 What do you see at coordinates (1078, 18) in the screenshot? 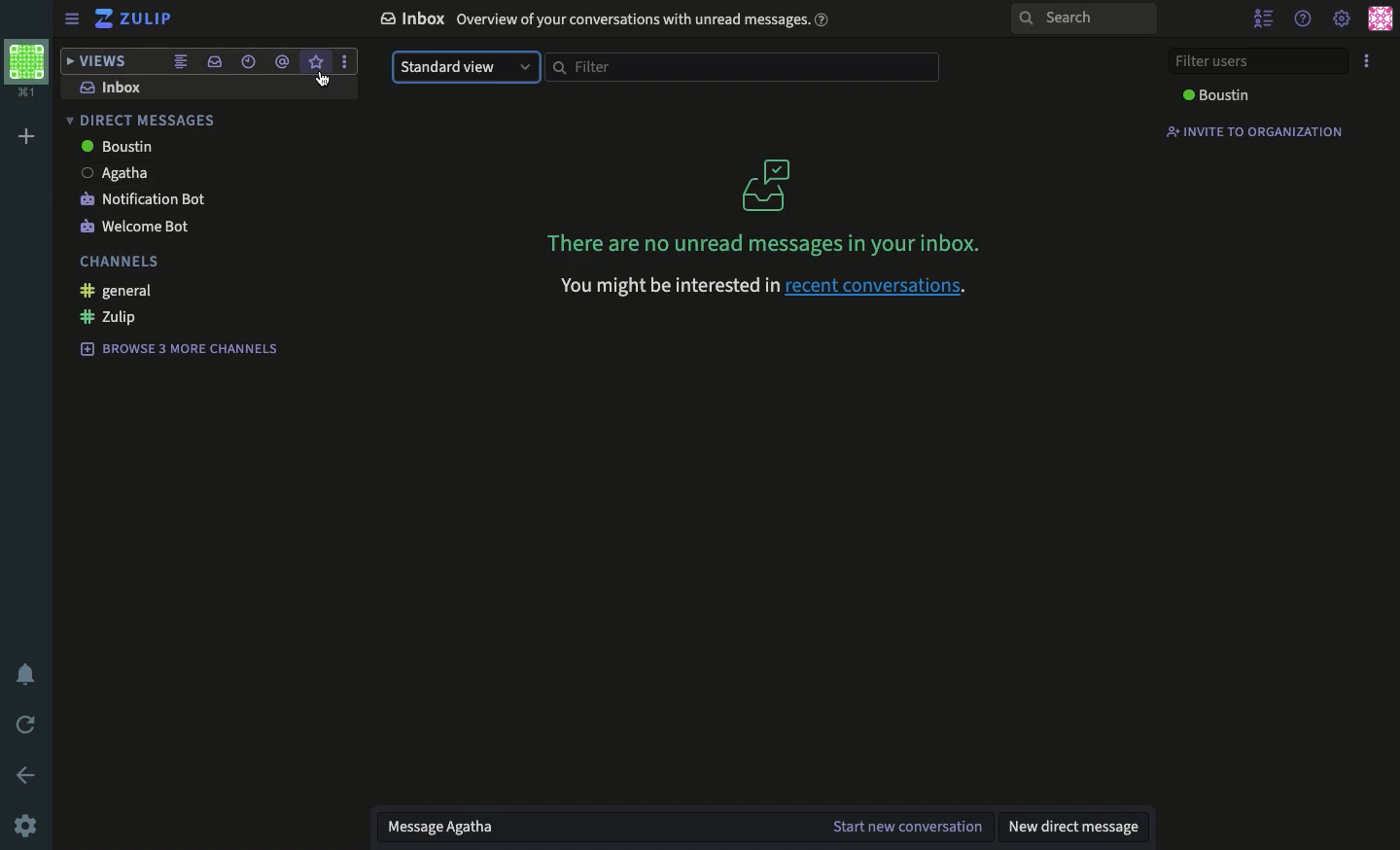
I see `search` at bounding box center [1078, 18].